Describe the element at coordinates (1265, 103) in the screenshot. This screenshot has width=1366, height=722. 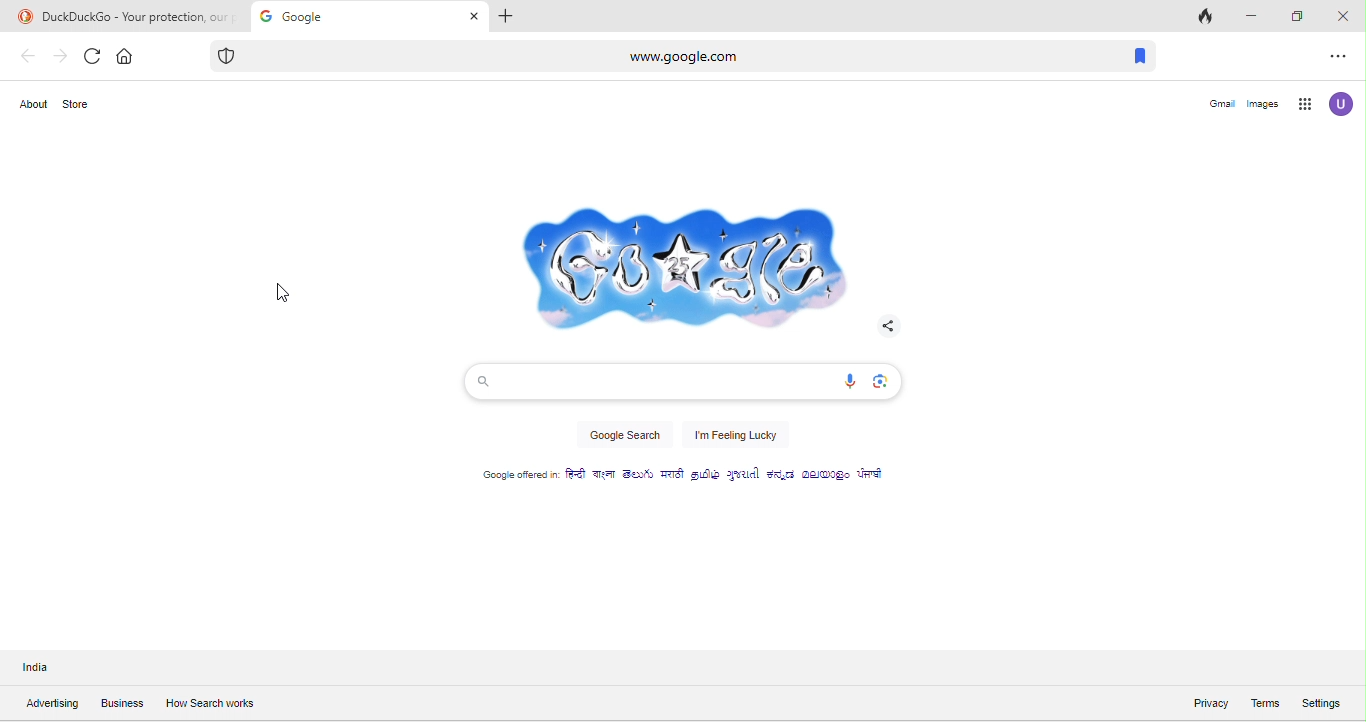
I see `images` at that location.